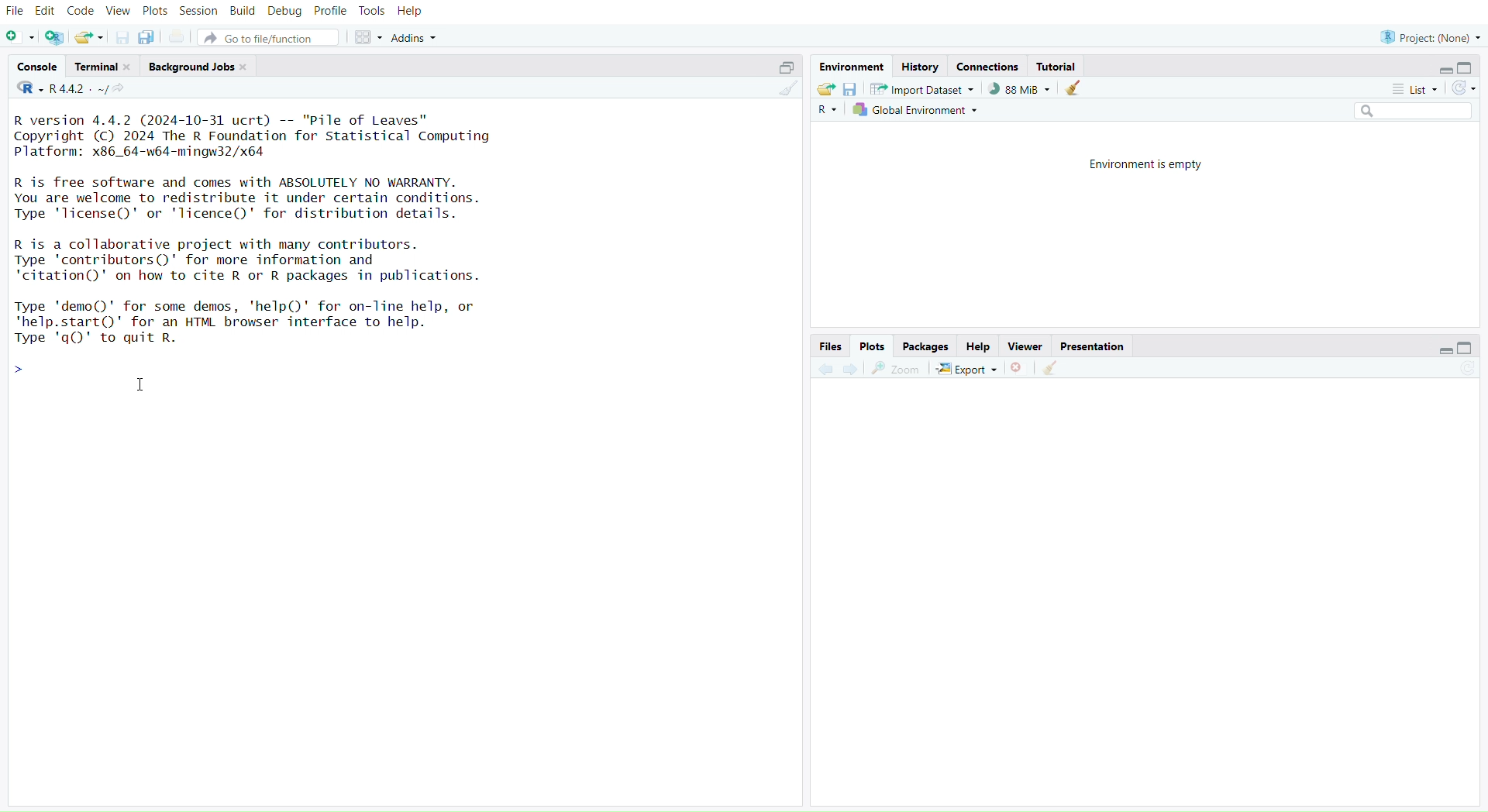 Image resolution: width=1488 pixels, height=812 pixels. I want to click on forward, so click(852, 370).